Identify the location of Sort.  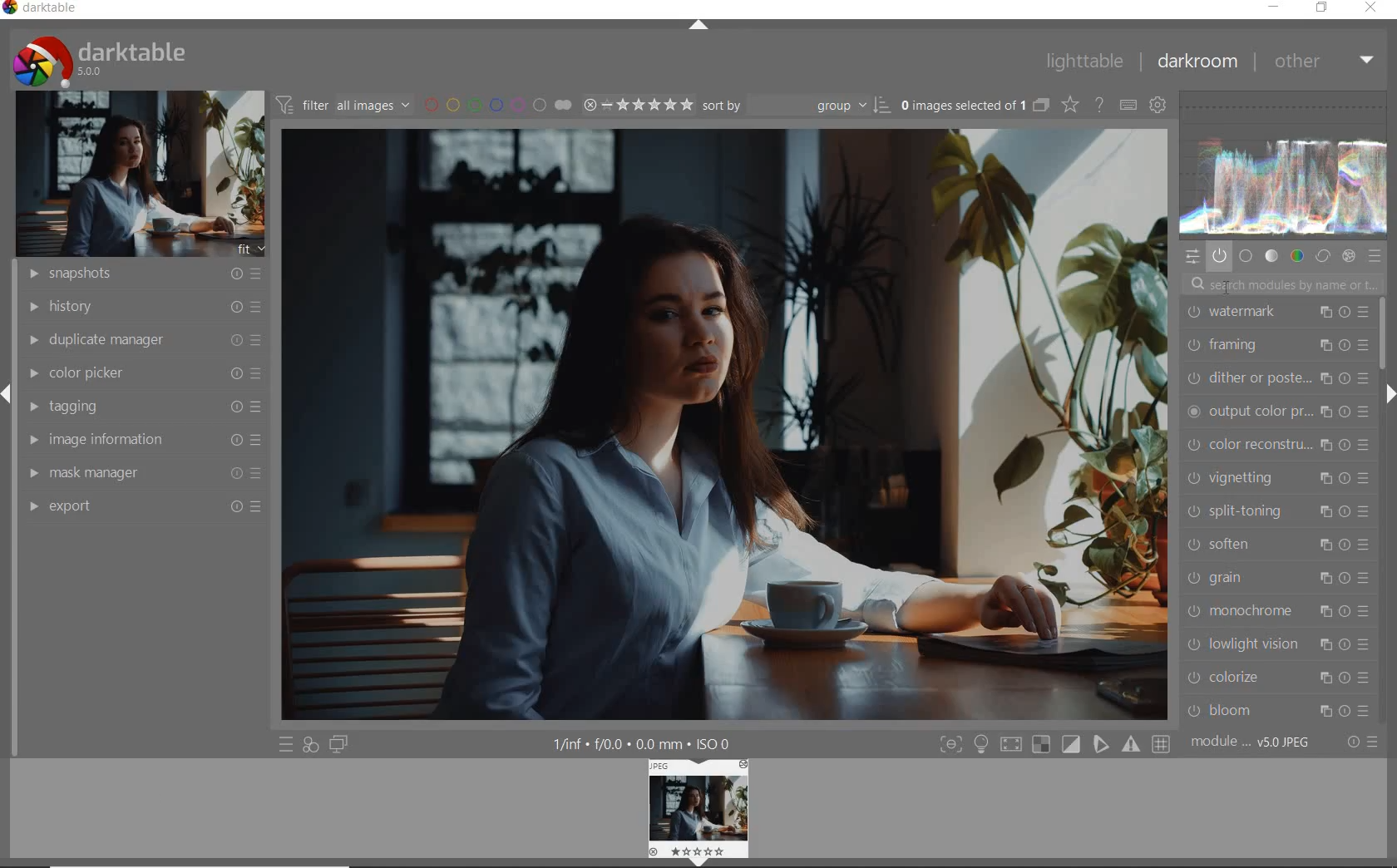
(797, 104).